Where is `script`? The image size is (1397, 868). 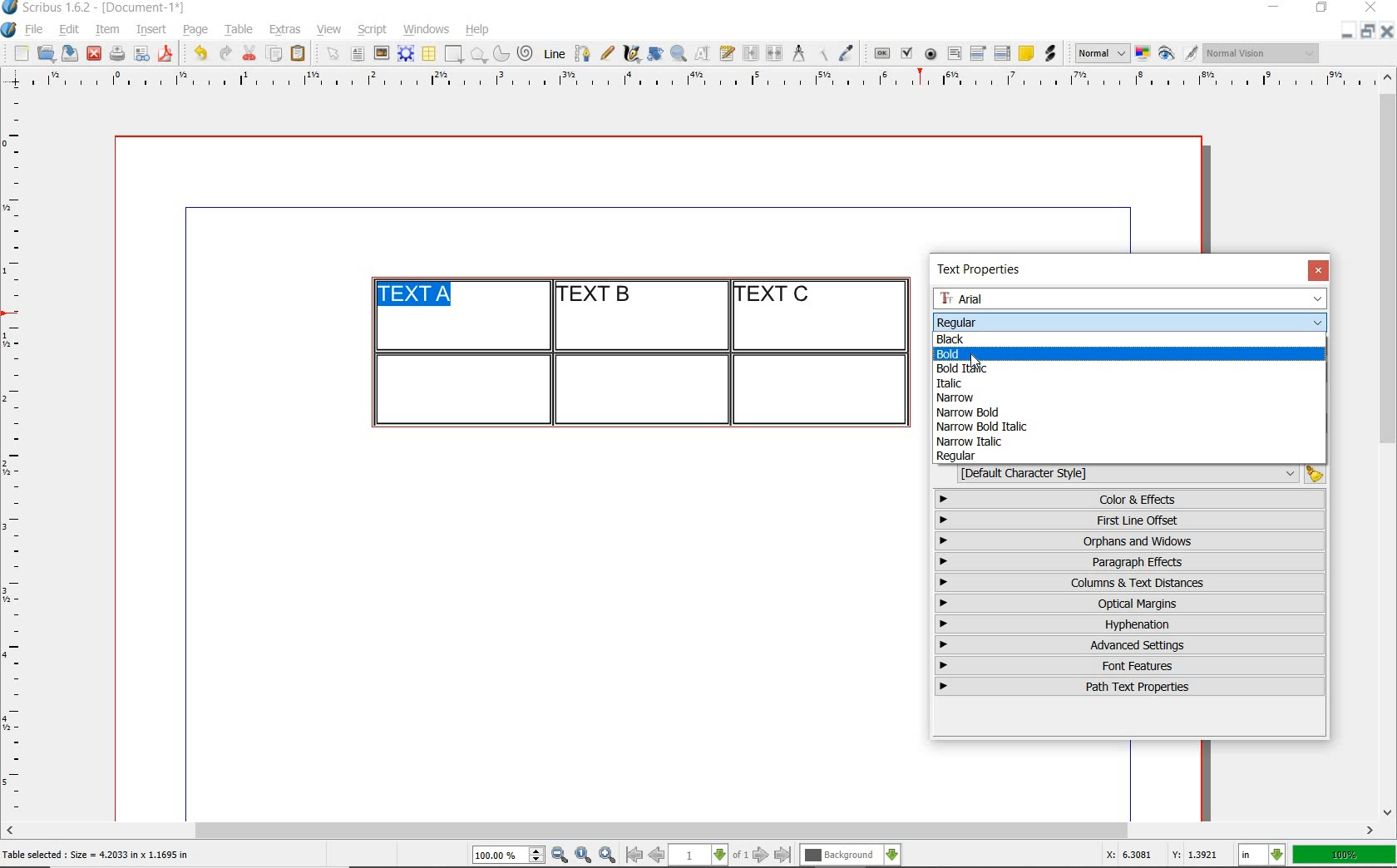 script is located at coordinates (372, 29).